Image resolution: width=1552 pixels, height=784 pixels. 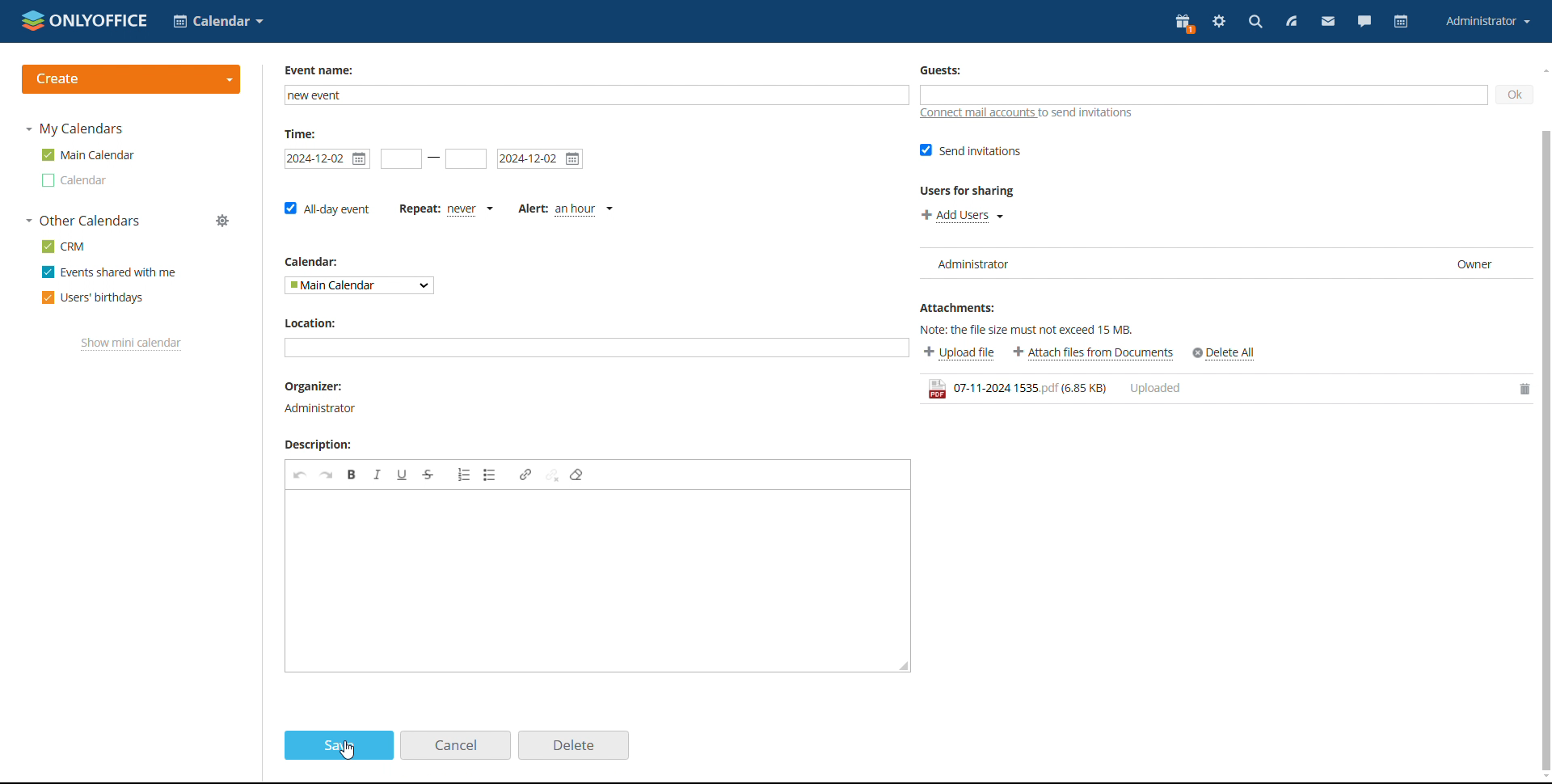 What do you see at coordinates (958, 352) in the screenshot?
I see `upload file` at bounding box center [958, 352].